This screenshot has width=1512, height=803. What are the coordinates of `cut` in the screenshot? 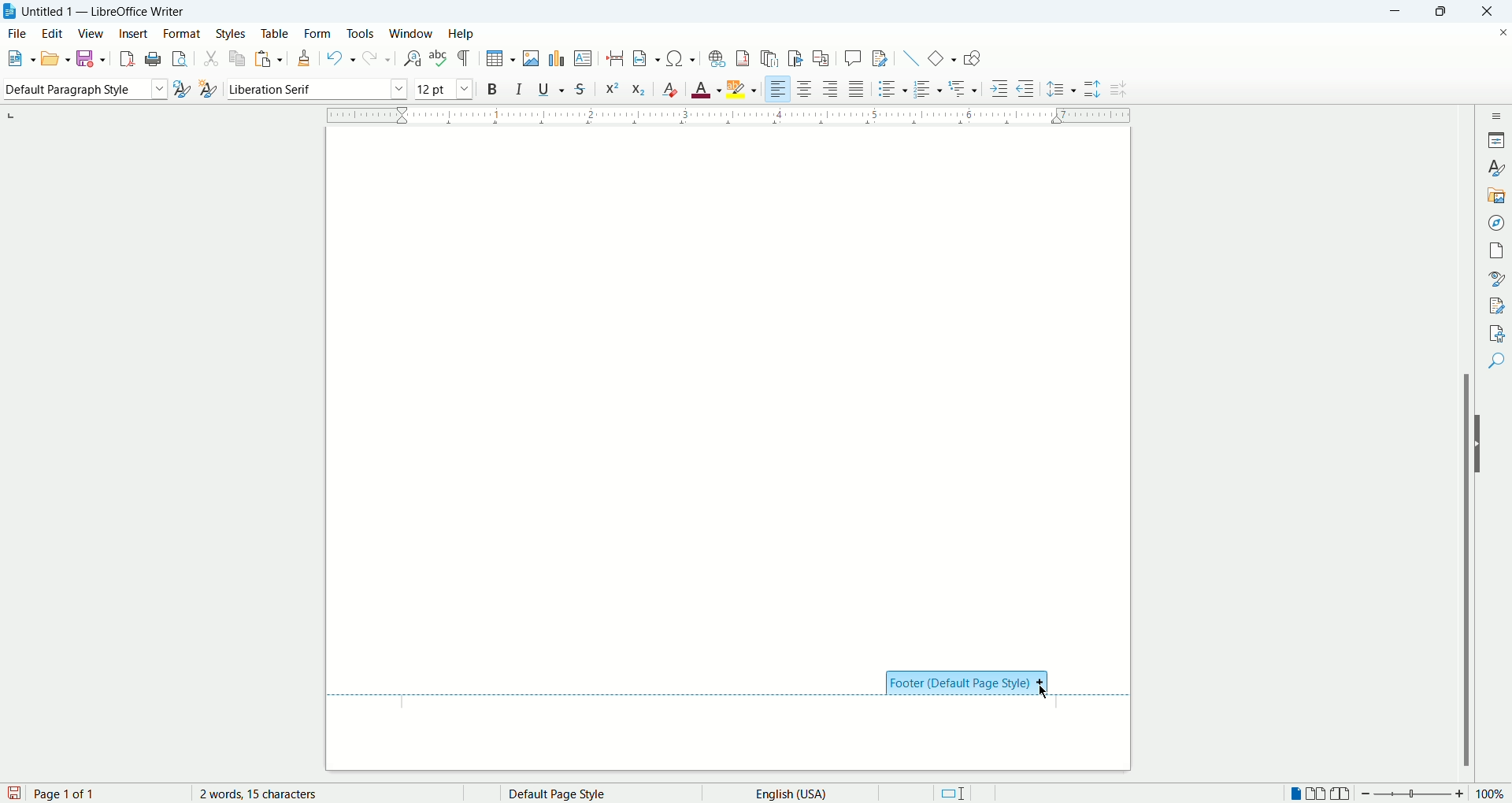 It's located at (211, 60).